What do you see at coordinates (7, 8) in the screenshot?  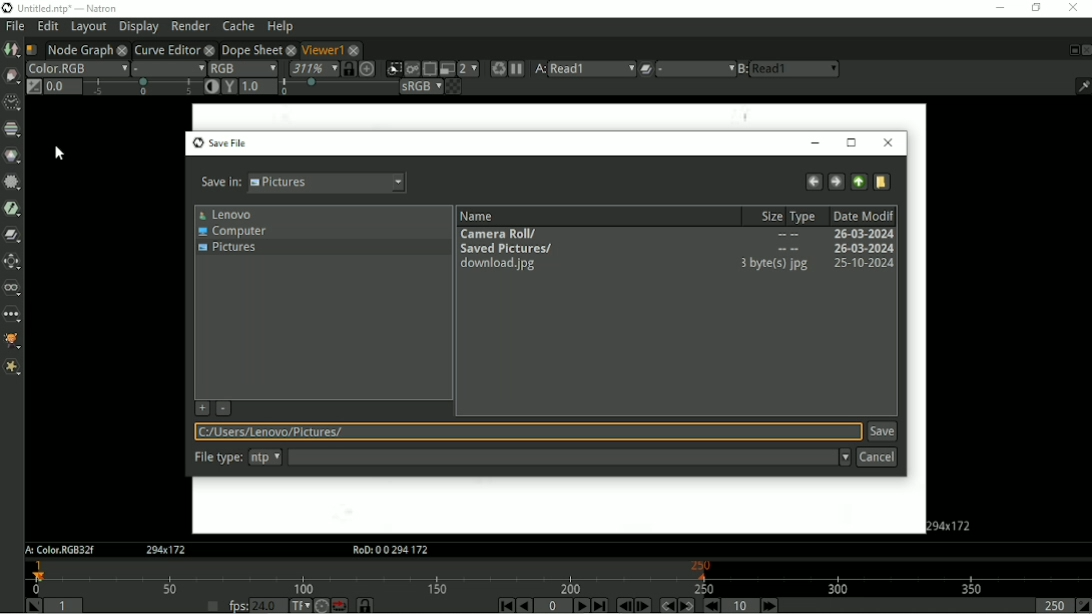 I see `logo` at bounding box center [7, 8].